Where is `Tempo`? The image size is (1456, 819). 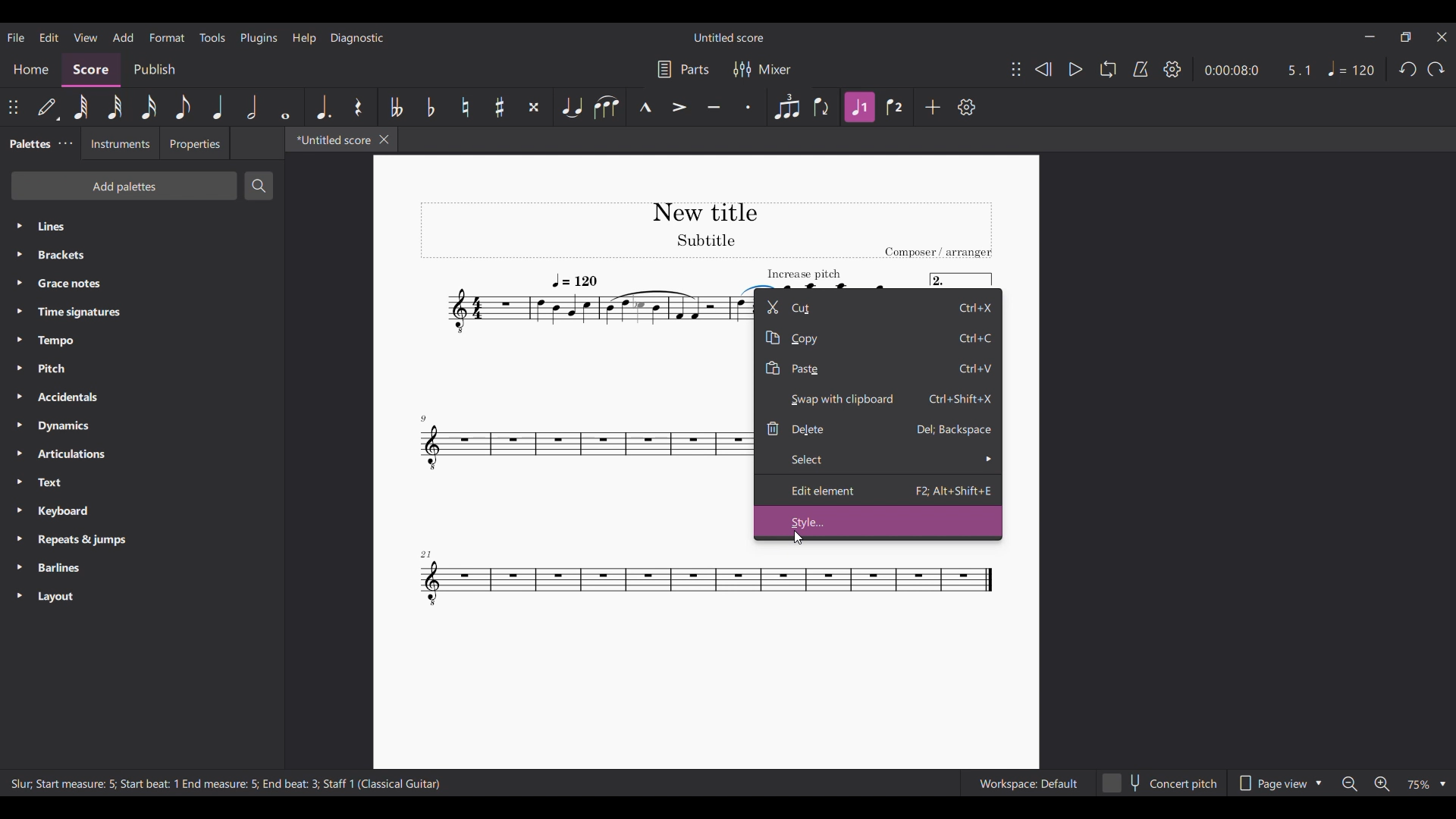
Tempo is located at coordinates (1351, 69).